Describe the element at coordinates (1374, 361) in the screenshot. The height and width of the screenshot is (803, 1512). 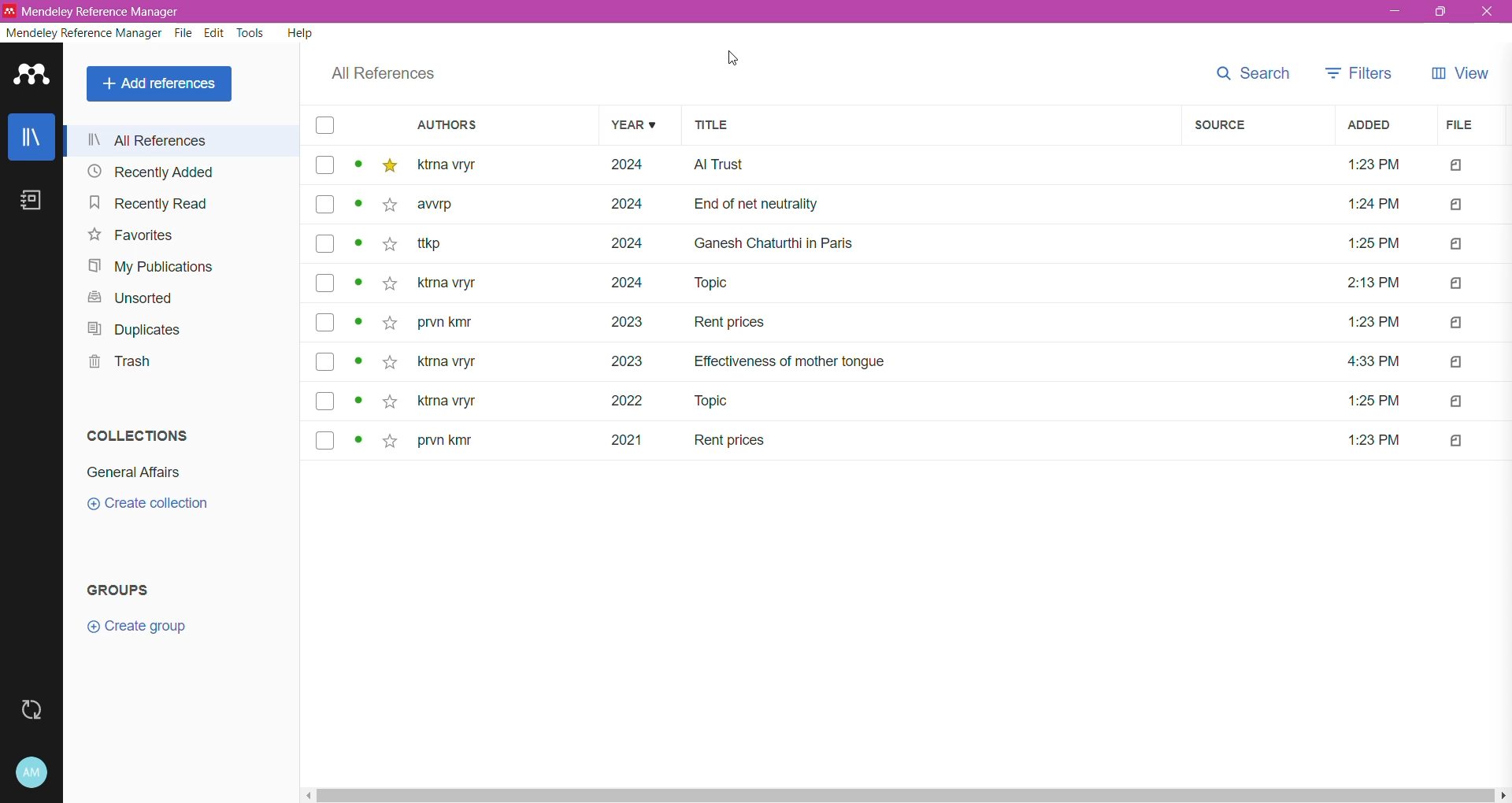
I see `4:33 PM` at that location.